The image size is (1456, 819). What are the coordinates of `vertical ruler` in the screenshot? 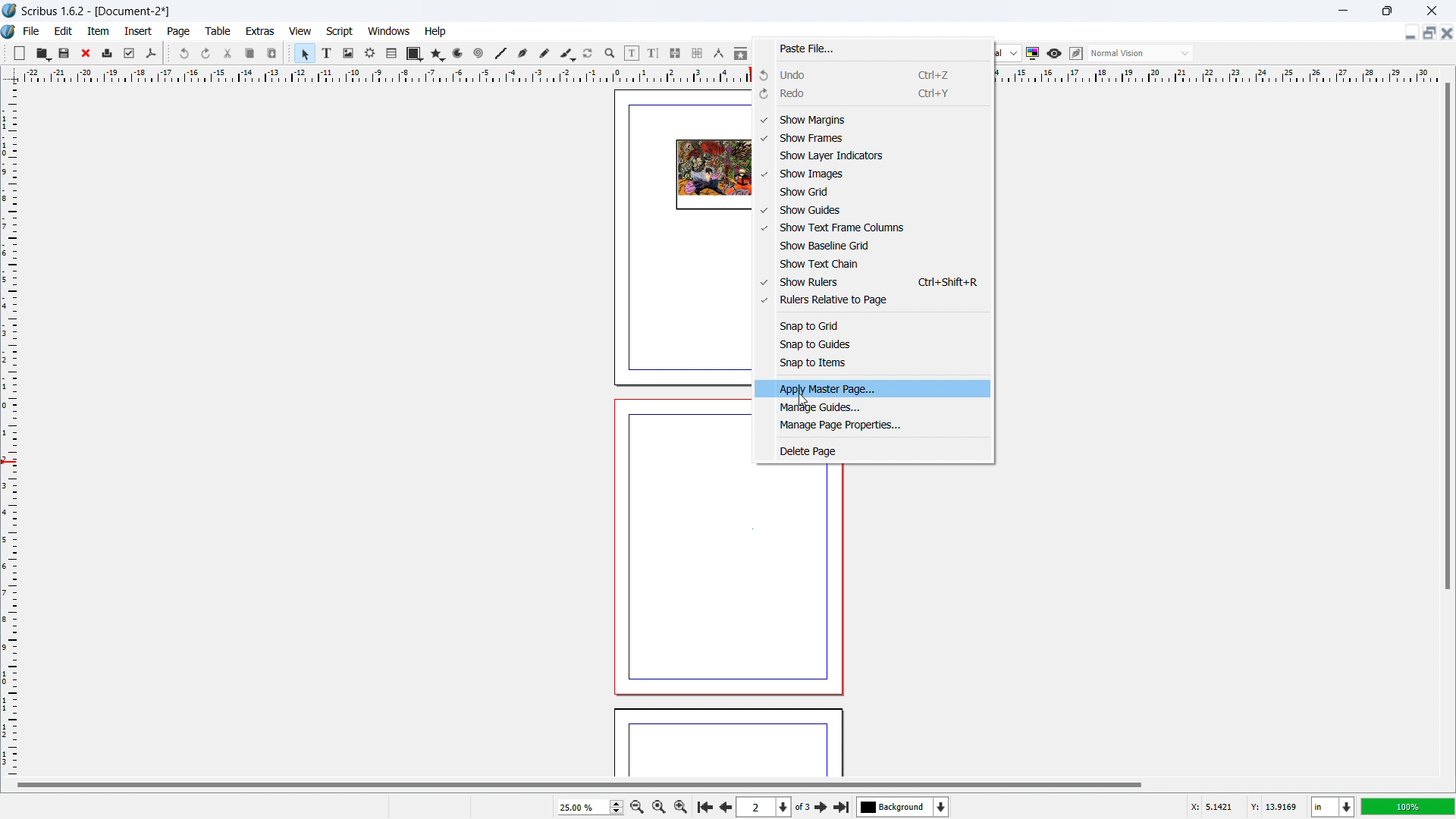 It's located at (9, 430).